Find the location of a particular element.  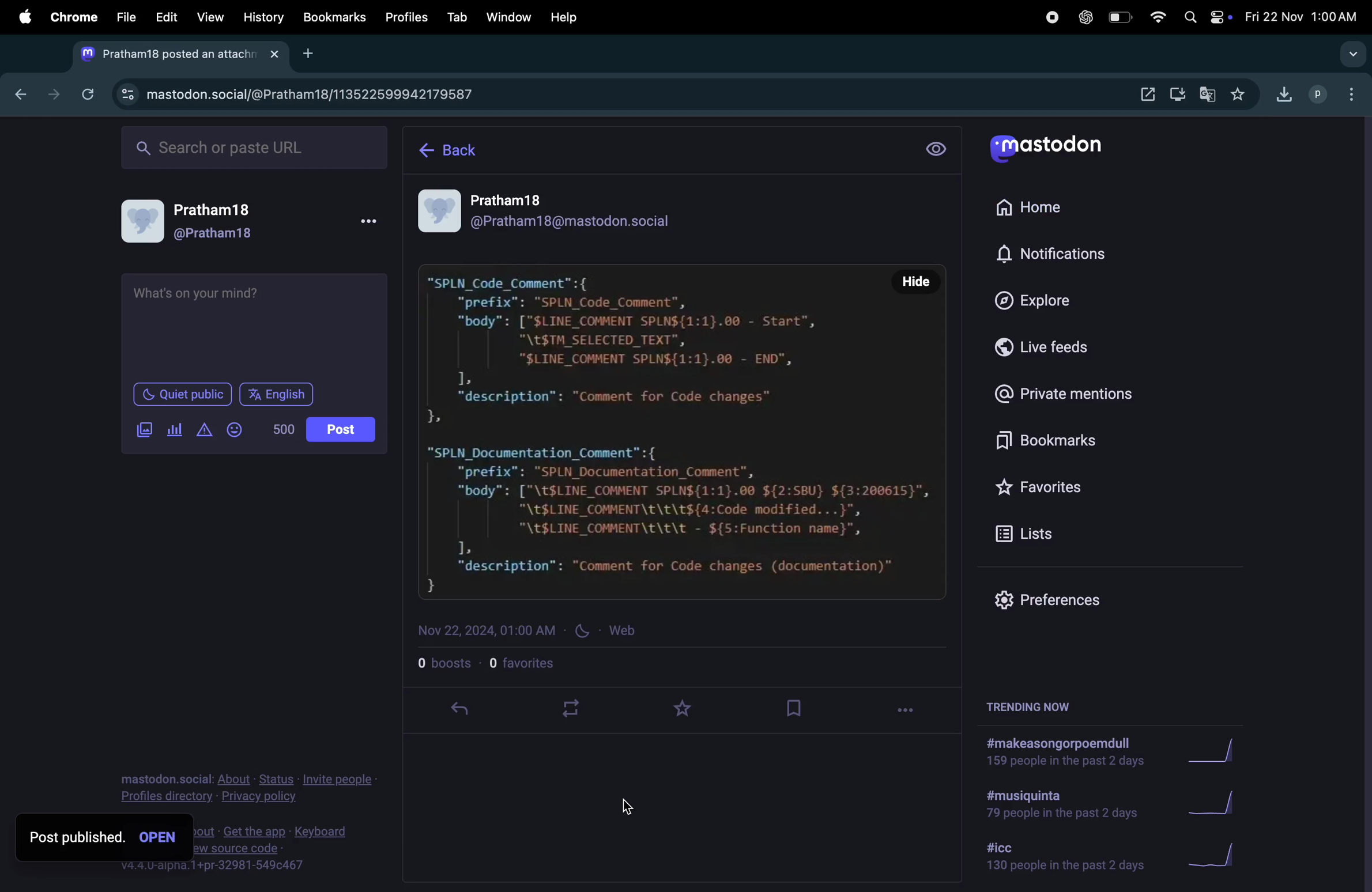

apple menu is located at coordinates (24, 18).